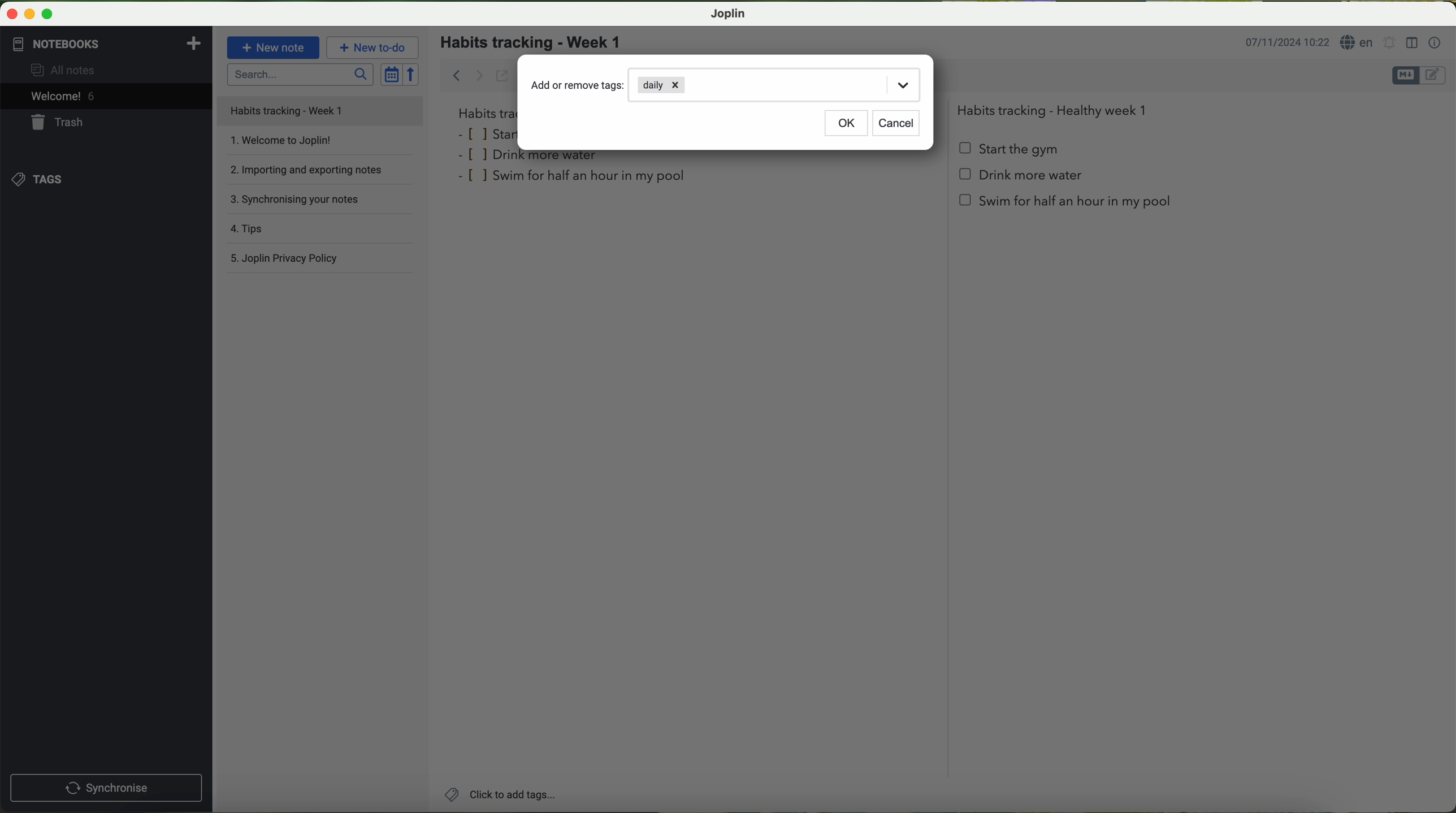 This screenshot has width=1456, height=813. Describe the element at coordinates (66, 69) in the screenshot. I see `all notes` at that location.